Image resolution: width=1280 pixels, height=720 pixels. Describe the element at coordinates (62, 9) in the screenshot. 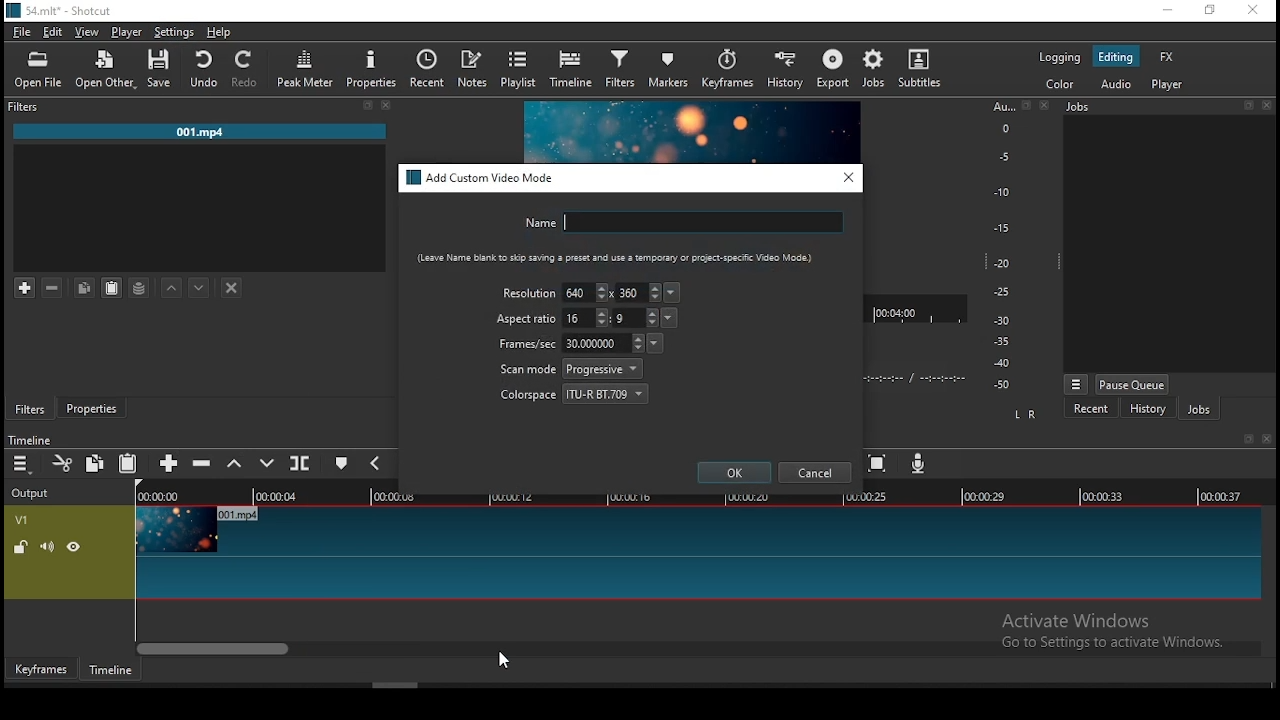

I see `icon and file name` at that location.